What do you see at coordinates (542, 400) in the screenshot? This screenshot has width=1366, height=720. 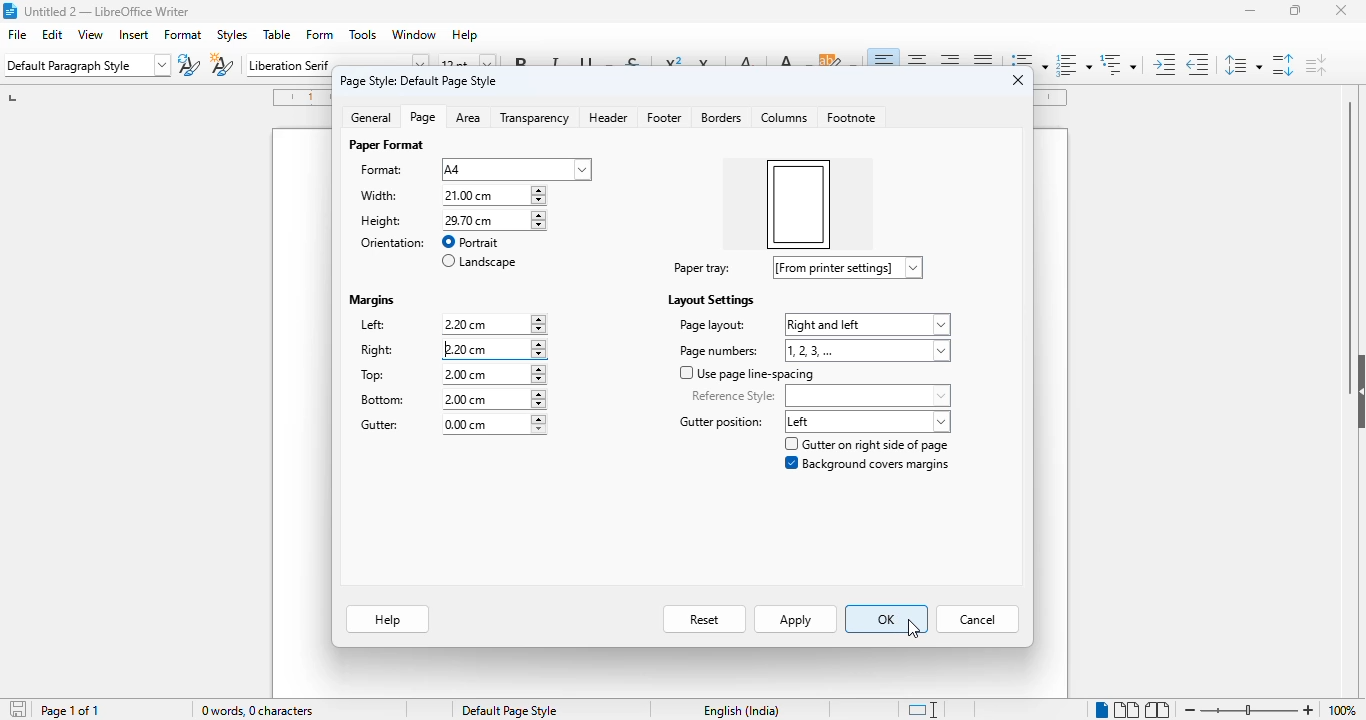 I see `increment or decrement ` at bounding box center [542, 400].